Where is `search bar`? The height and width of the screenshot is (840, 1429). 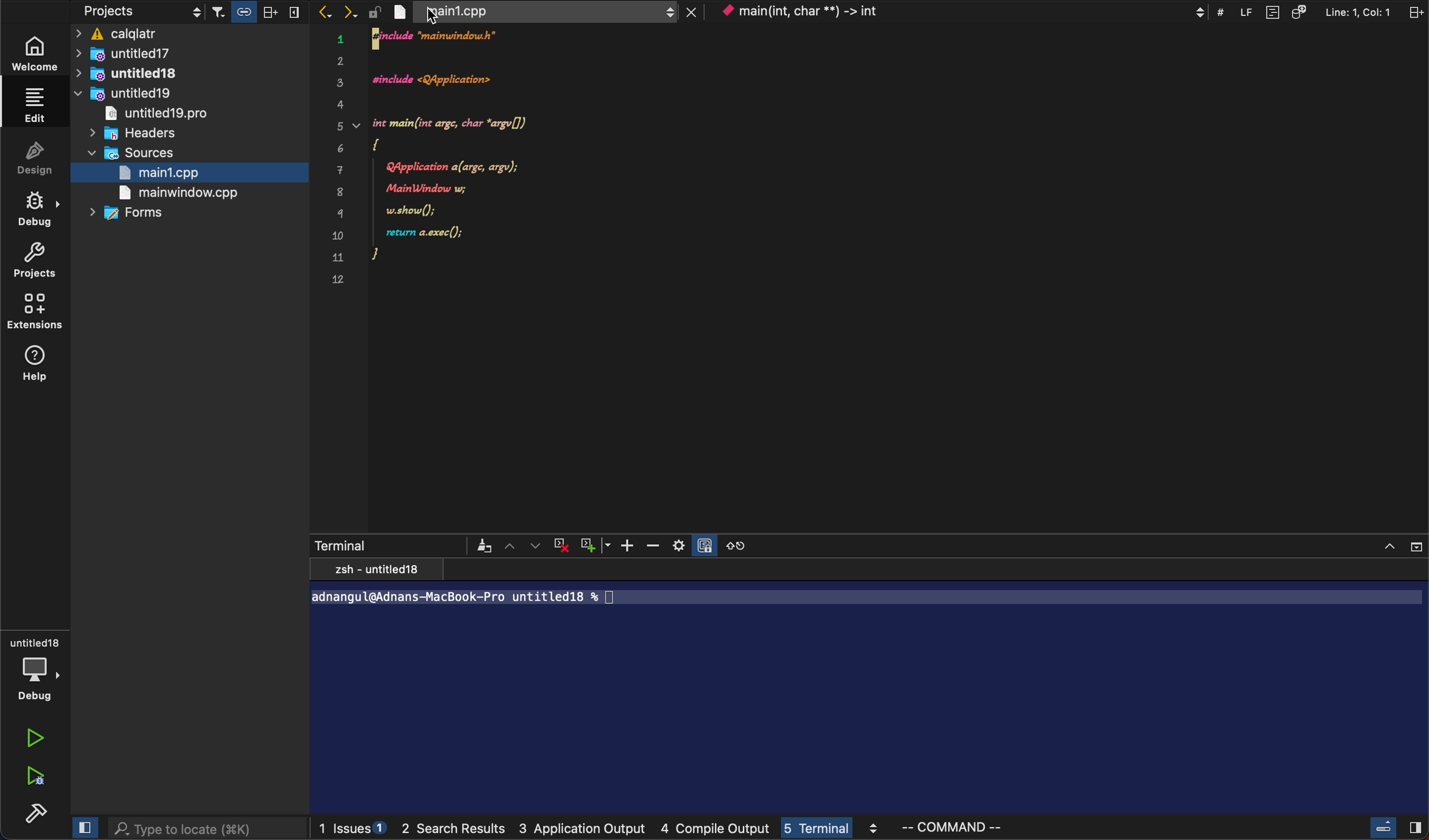
search bar is located at coordinates (197, 830).